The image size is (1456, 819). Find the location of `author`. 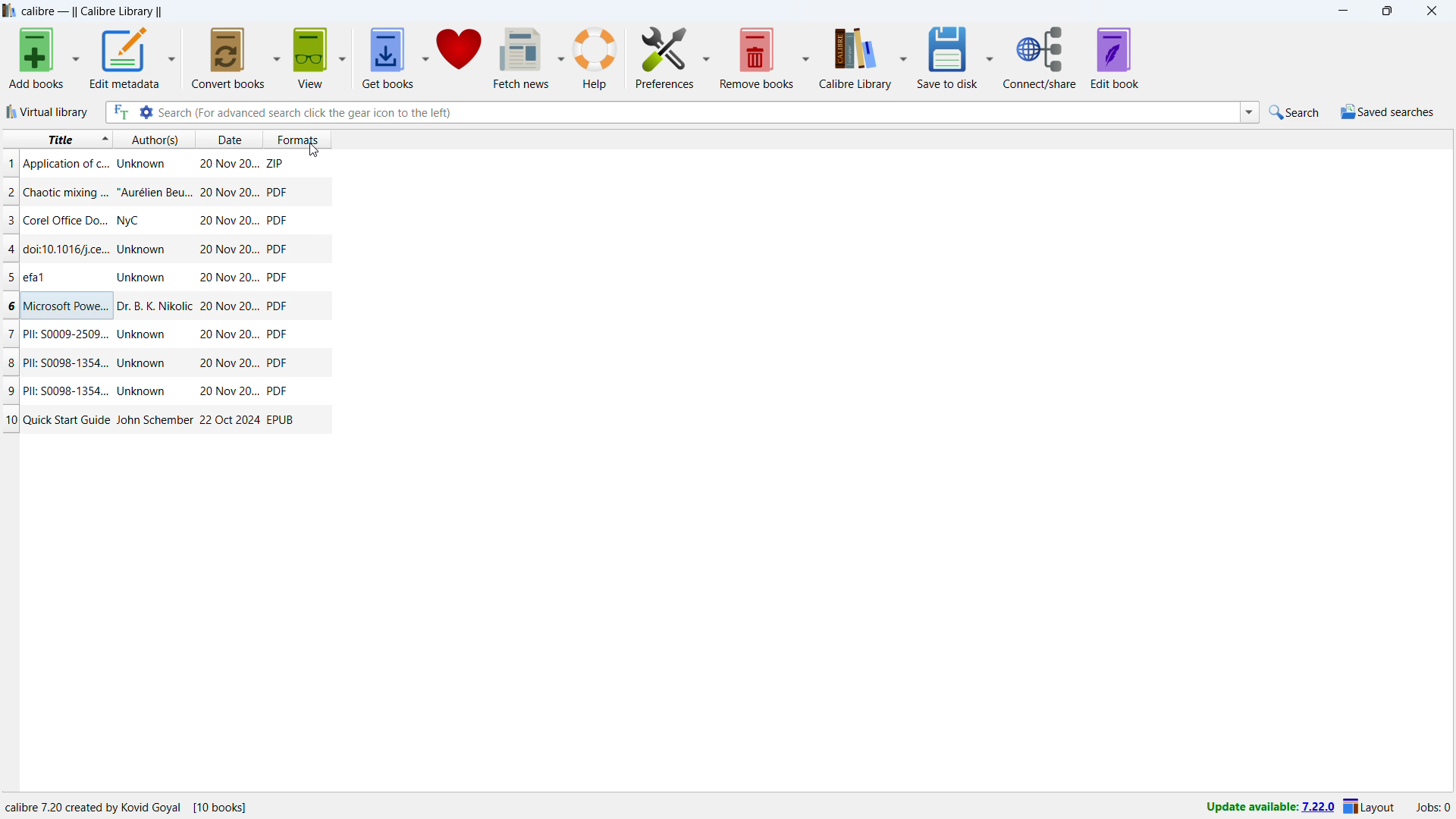

author is located at coordinates (154, 306).